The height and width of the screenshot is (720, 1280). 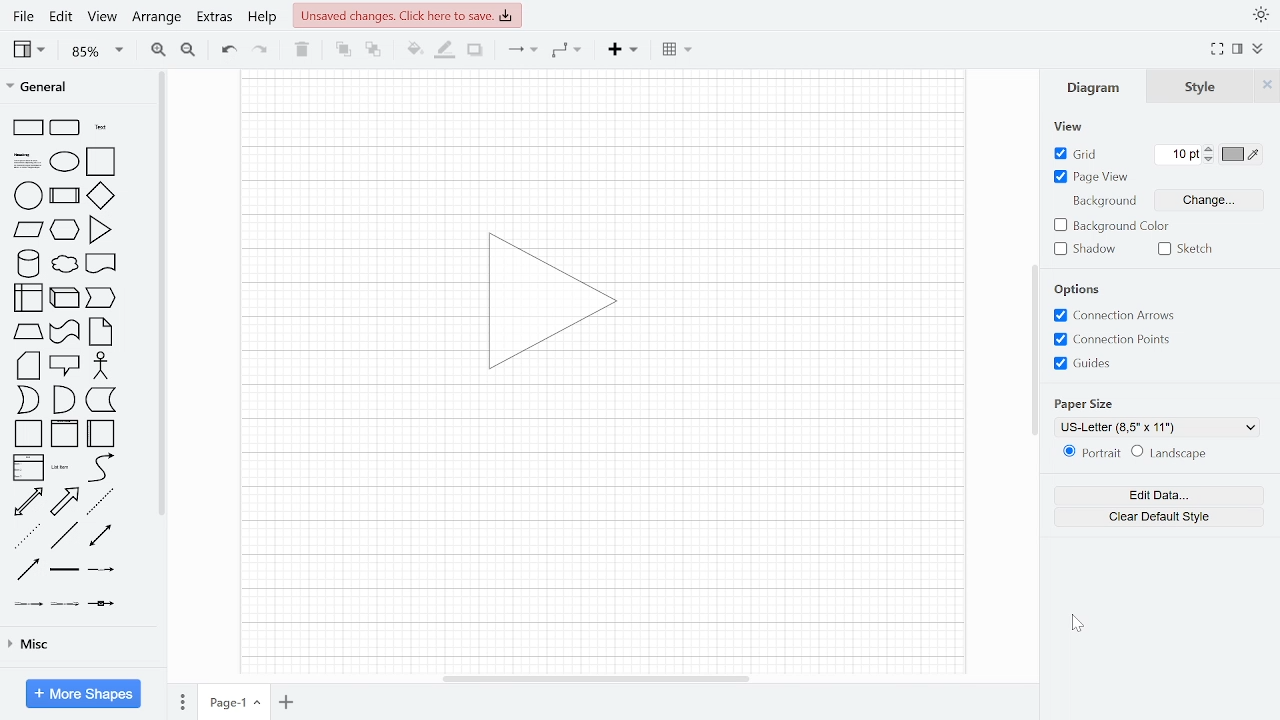 What do you see at coordinates (1077, 289) in the screenshot?
I see `Options` at bounding box center [1077, 289].